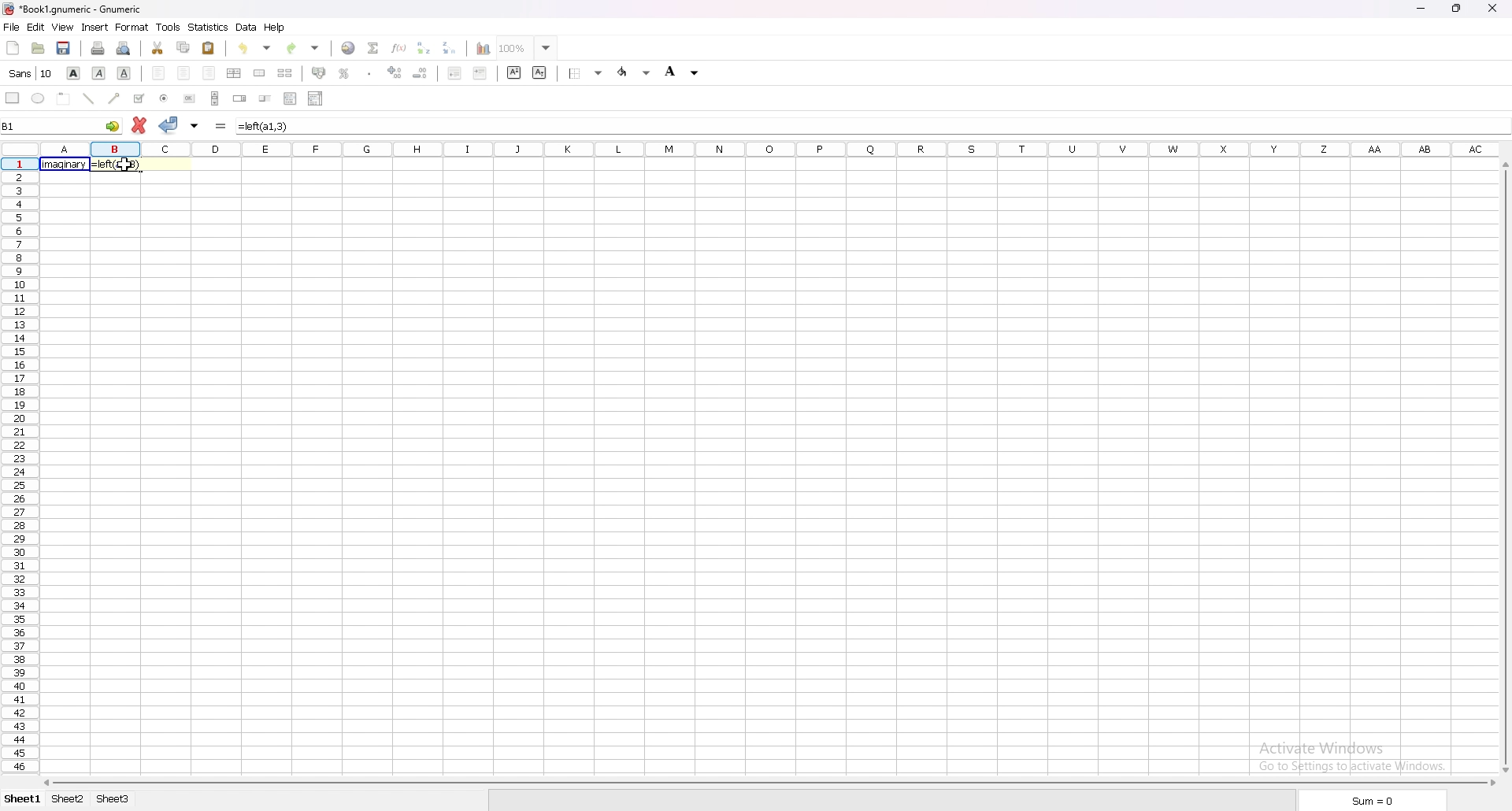 The height and width of the screenshot is (811, 1512). I want to click on thousands separator, so click(369, 72).